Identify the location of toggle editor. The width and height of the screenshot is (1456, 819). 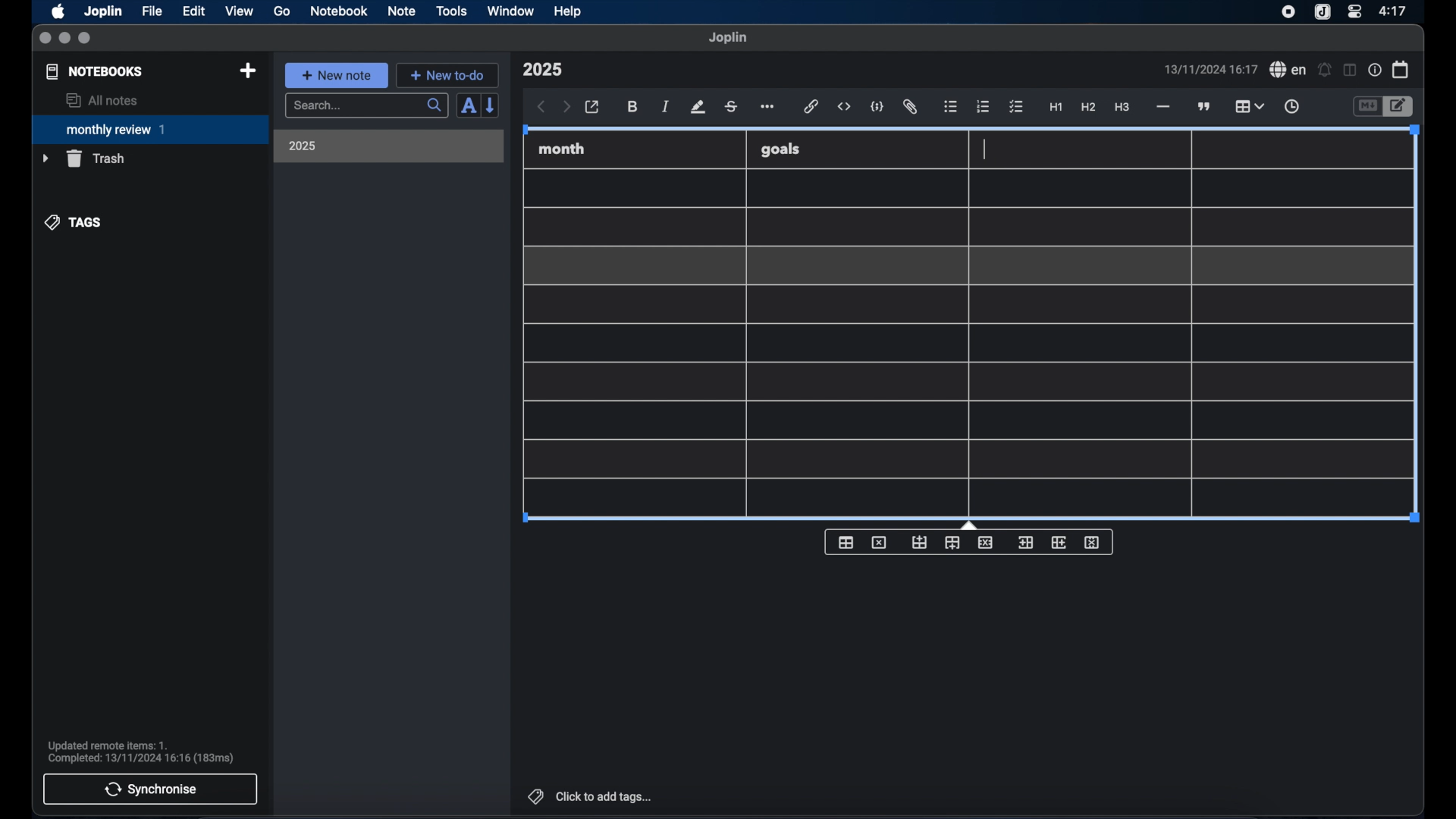
(1367, 107).